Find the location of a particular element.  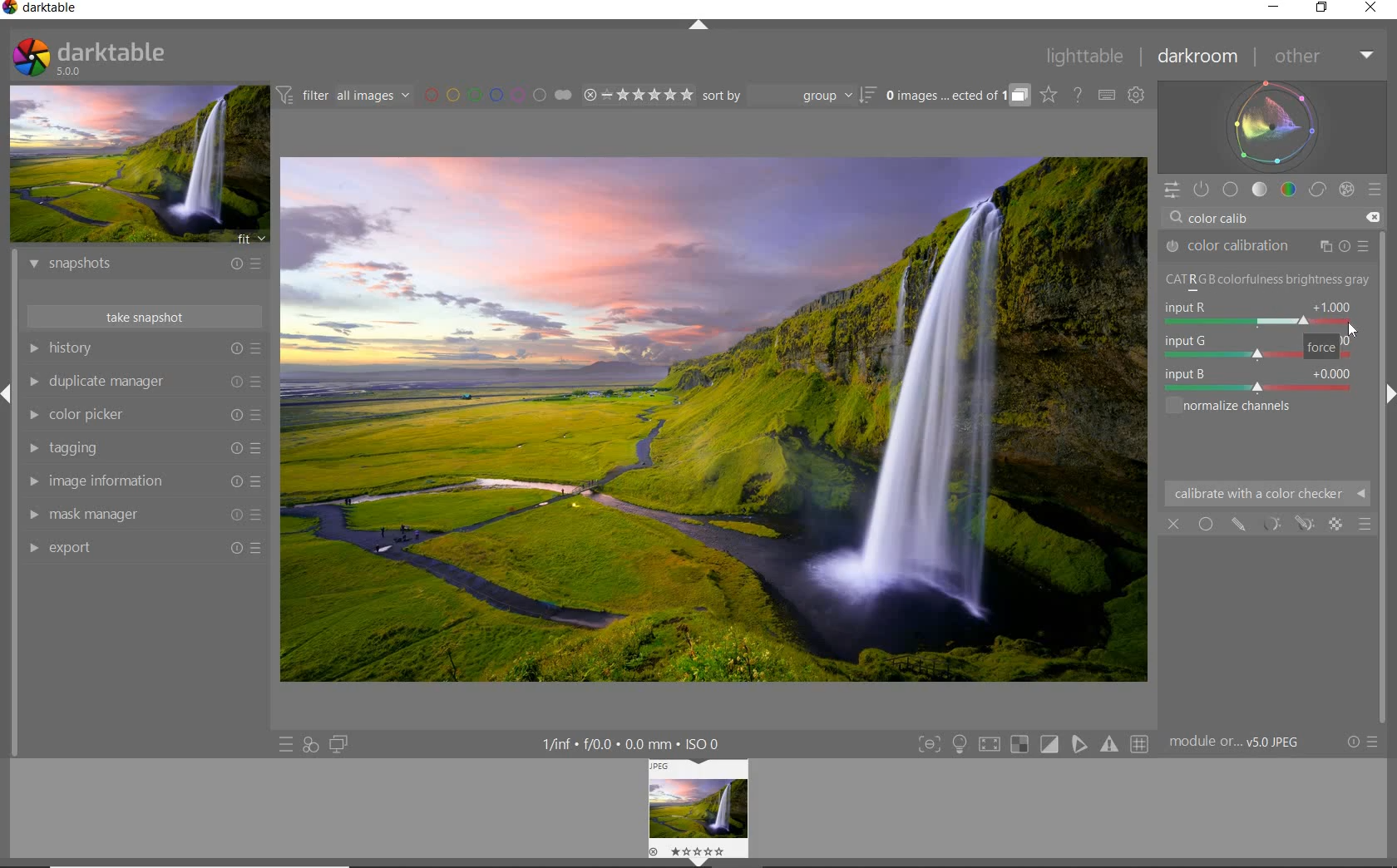

MODULE...v5.0 JPEG is located at coordinates (1239, 743).